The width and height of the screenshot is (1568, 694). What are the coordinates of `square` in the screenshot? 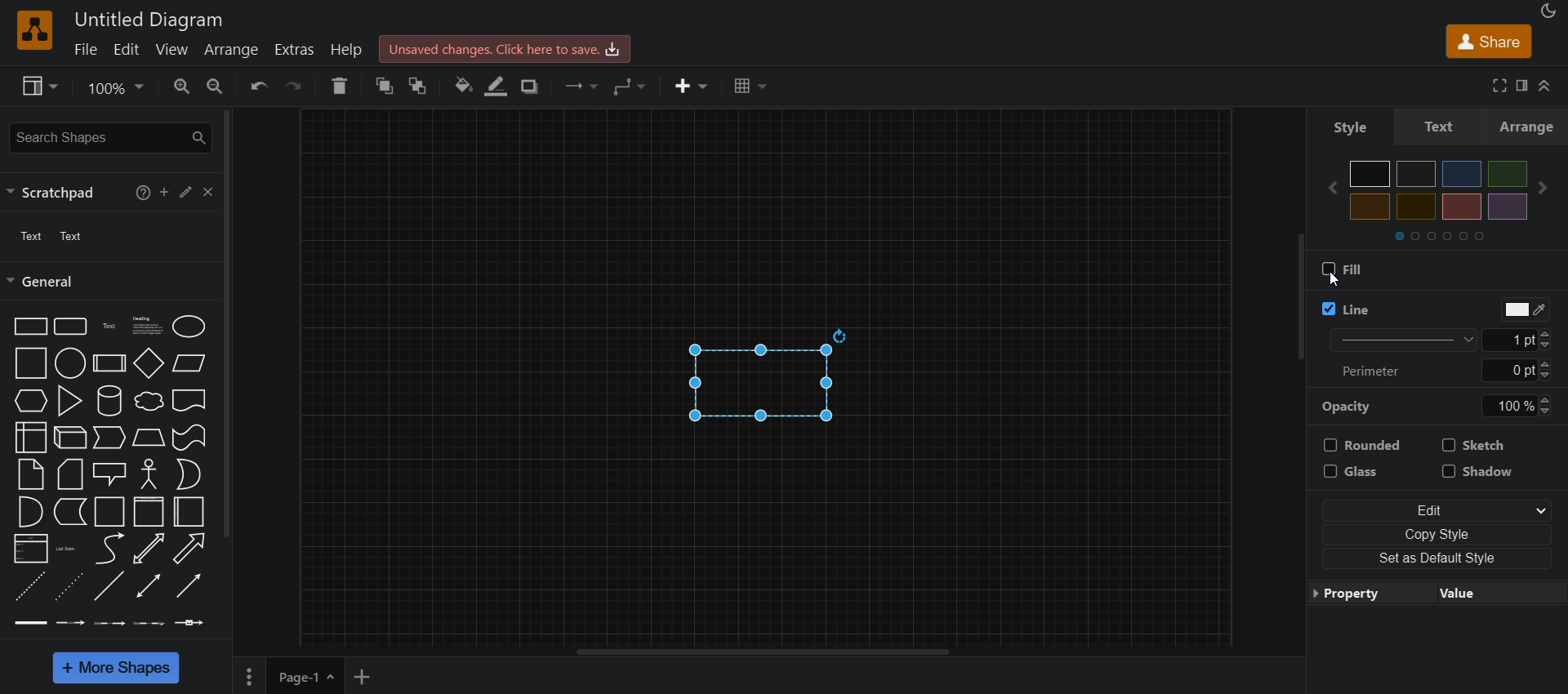 It's located at (30, 363).